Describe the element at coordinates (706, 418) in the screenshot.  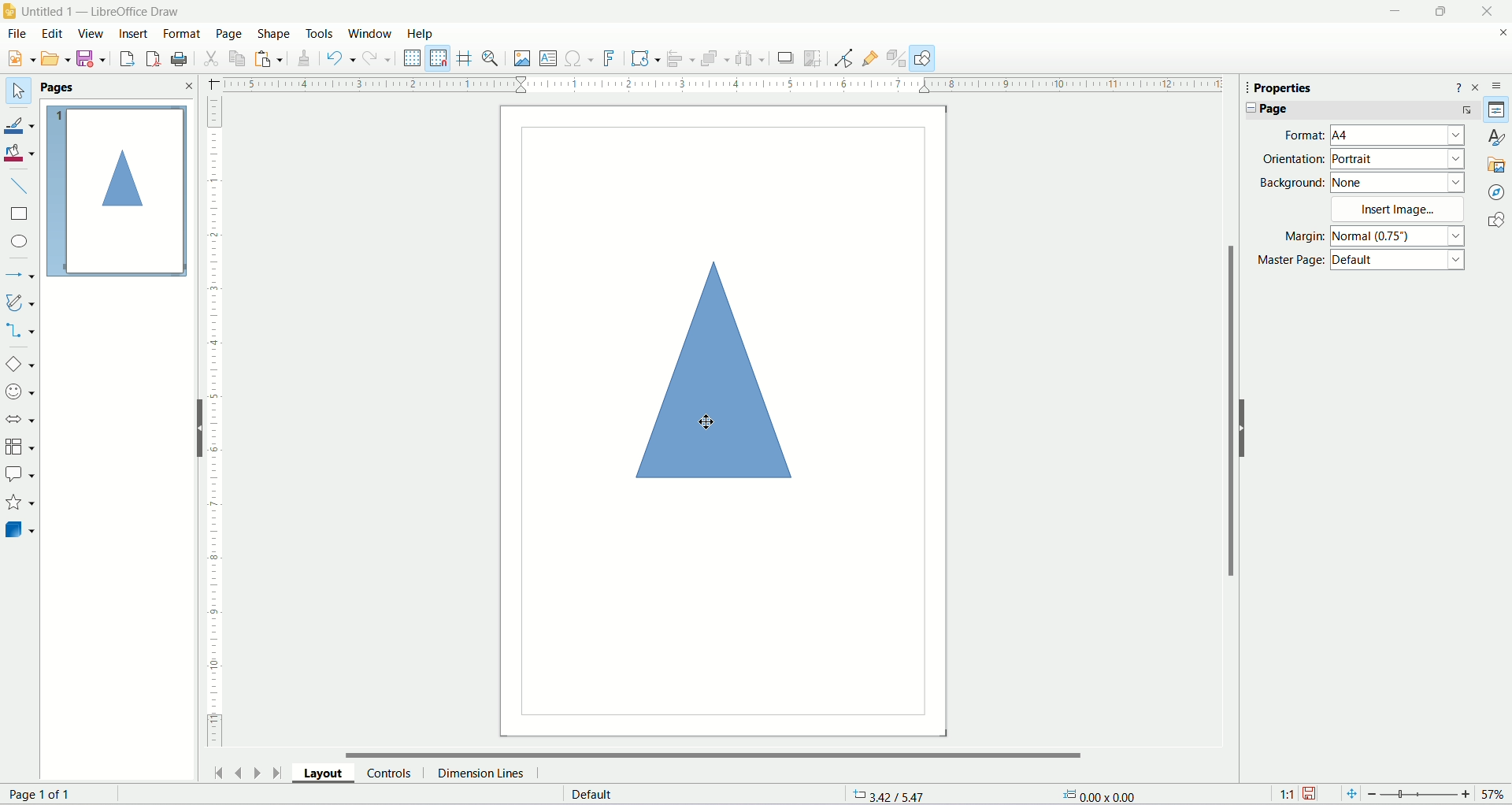
I see `Cursor` at that location.